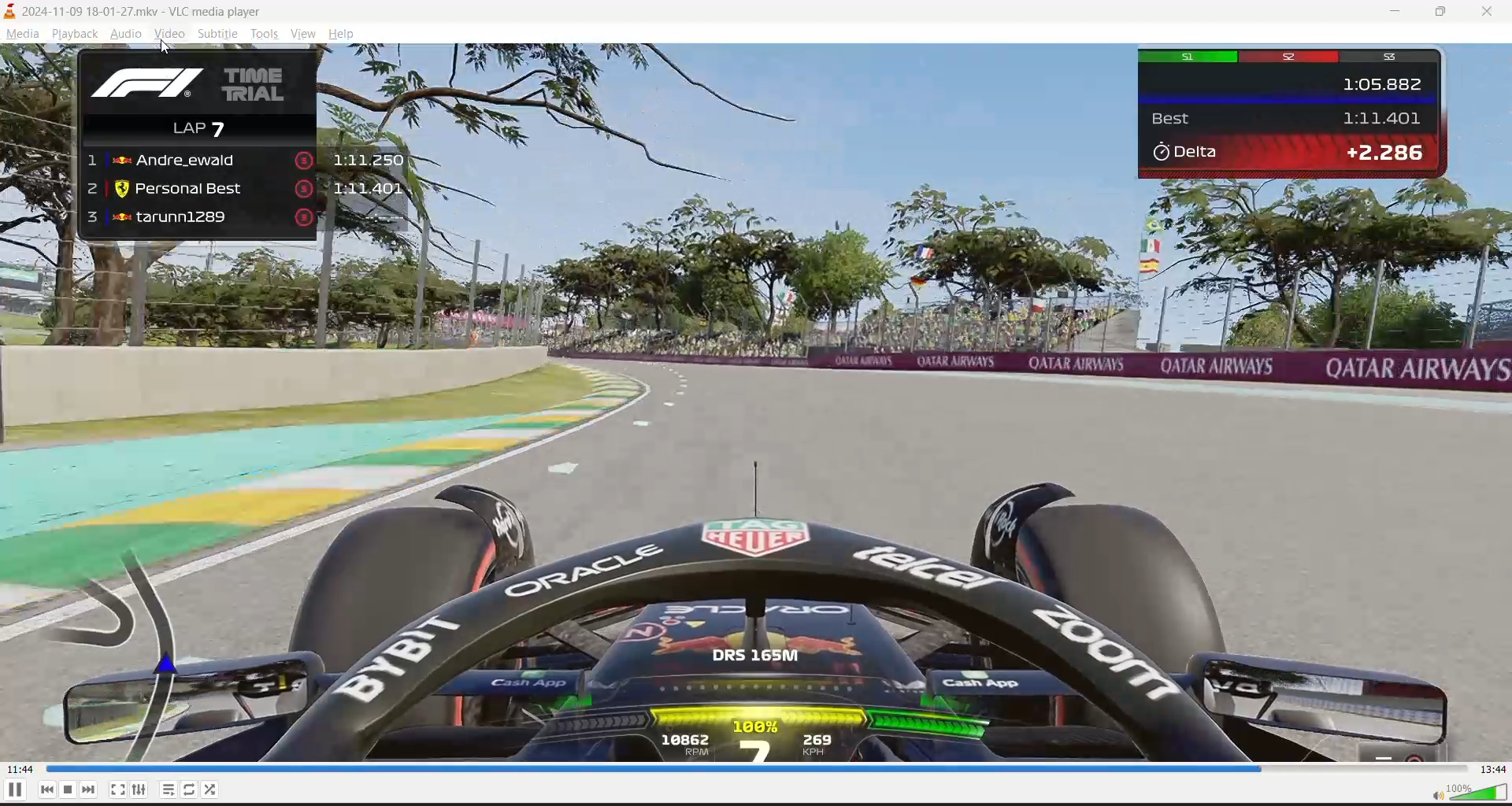  I want to click on video, so click(753, 402).